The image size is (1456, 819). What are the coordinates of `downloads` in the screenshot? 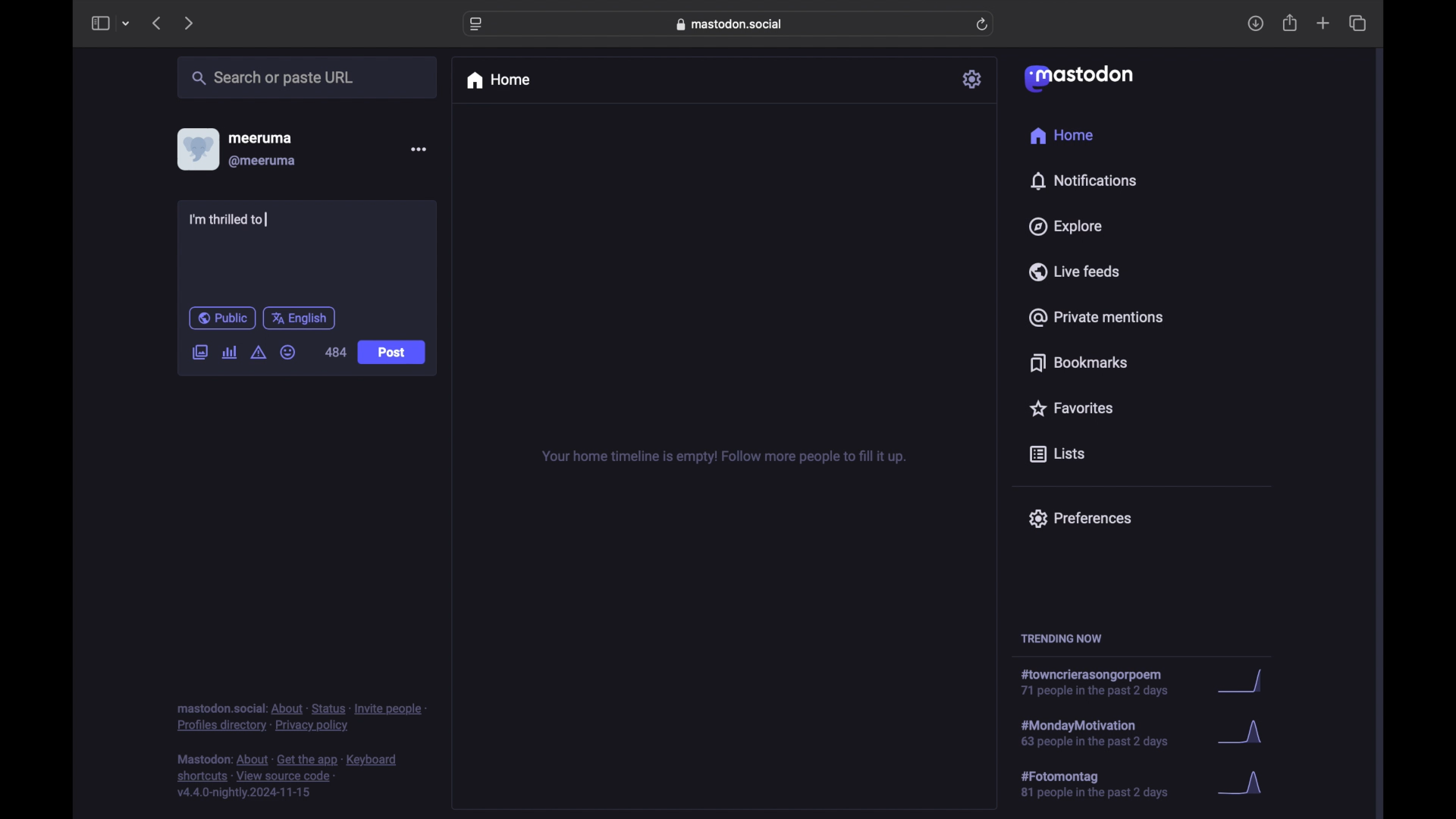 It's located at (1255, 24).